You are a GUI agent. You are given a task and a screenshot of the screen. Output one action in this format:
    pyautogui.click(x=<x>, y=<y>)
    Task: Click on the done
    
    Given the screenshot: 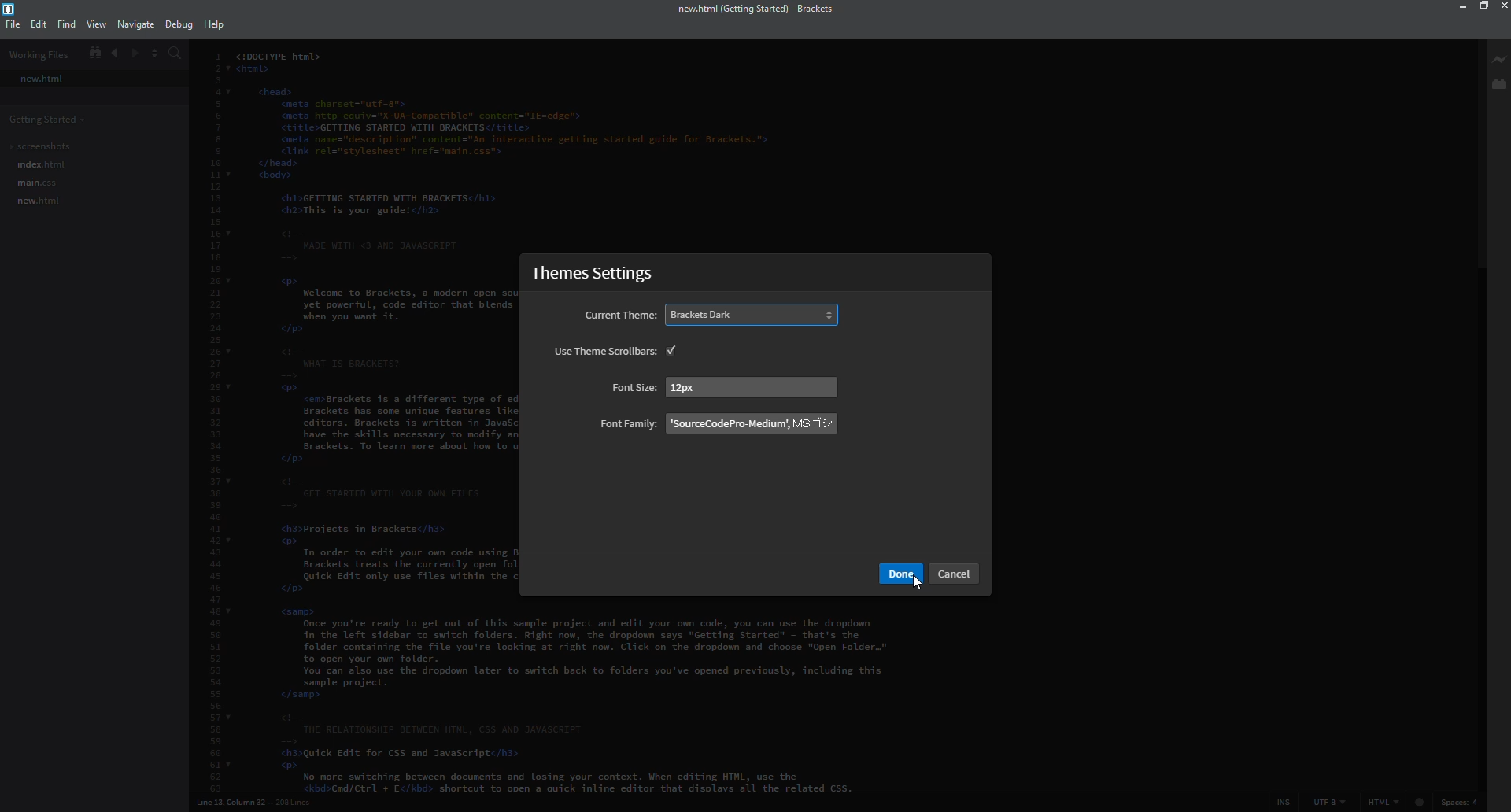 What is the action you would take?
    pyautogui.click(x=901, y=574)
    